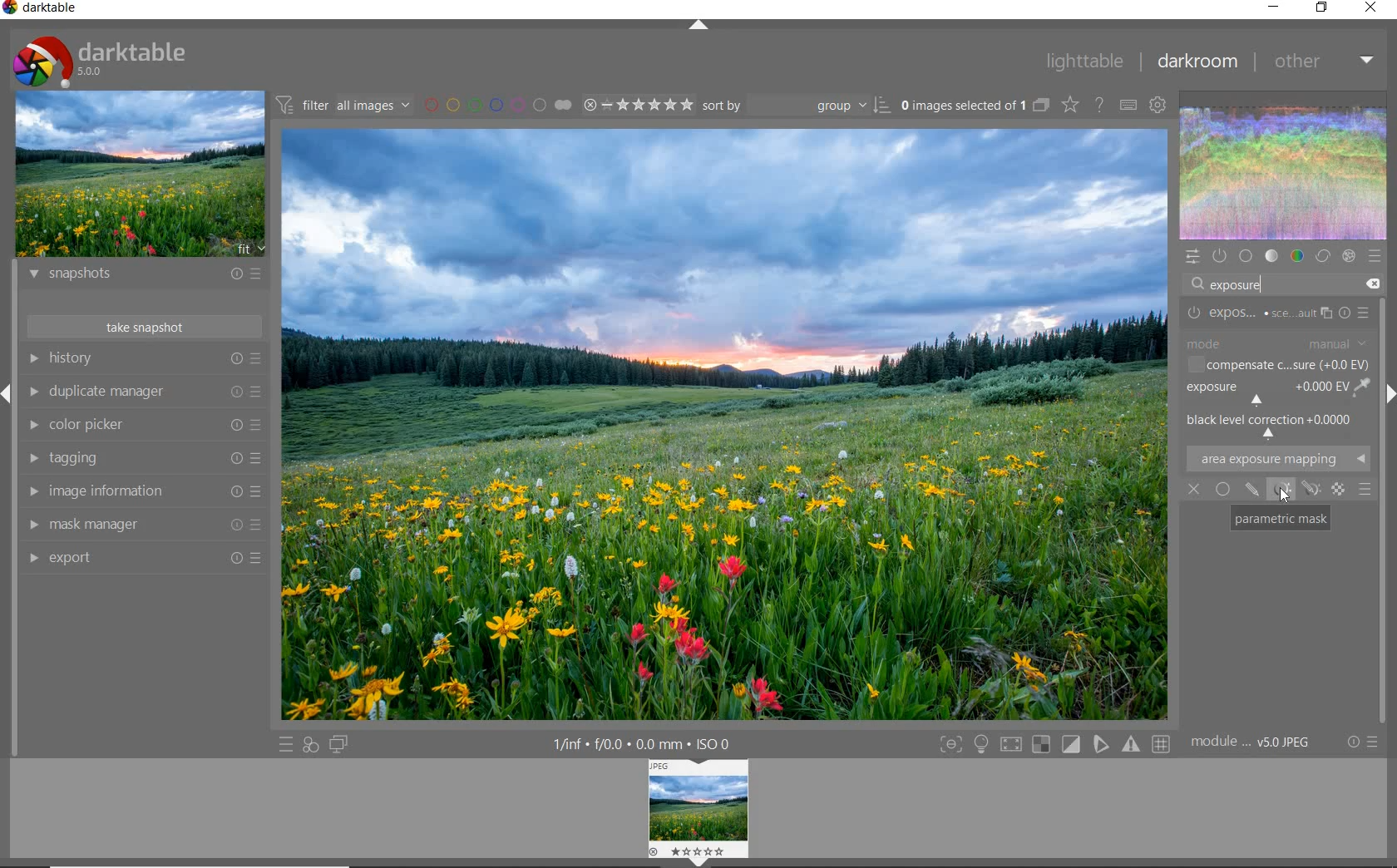 Image resolution: width=1397 pixels, height=868 pixels. I want to click on set keyboard shortcuts, so click(1129, 106).